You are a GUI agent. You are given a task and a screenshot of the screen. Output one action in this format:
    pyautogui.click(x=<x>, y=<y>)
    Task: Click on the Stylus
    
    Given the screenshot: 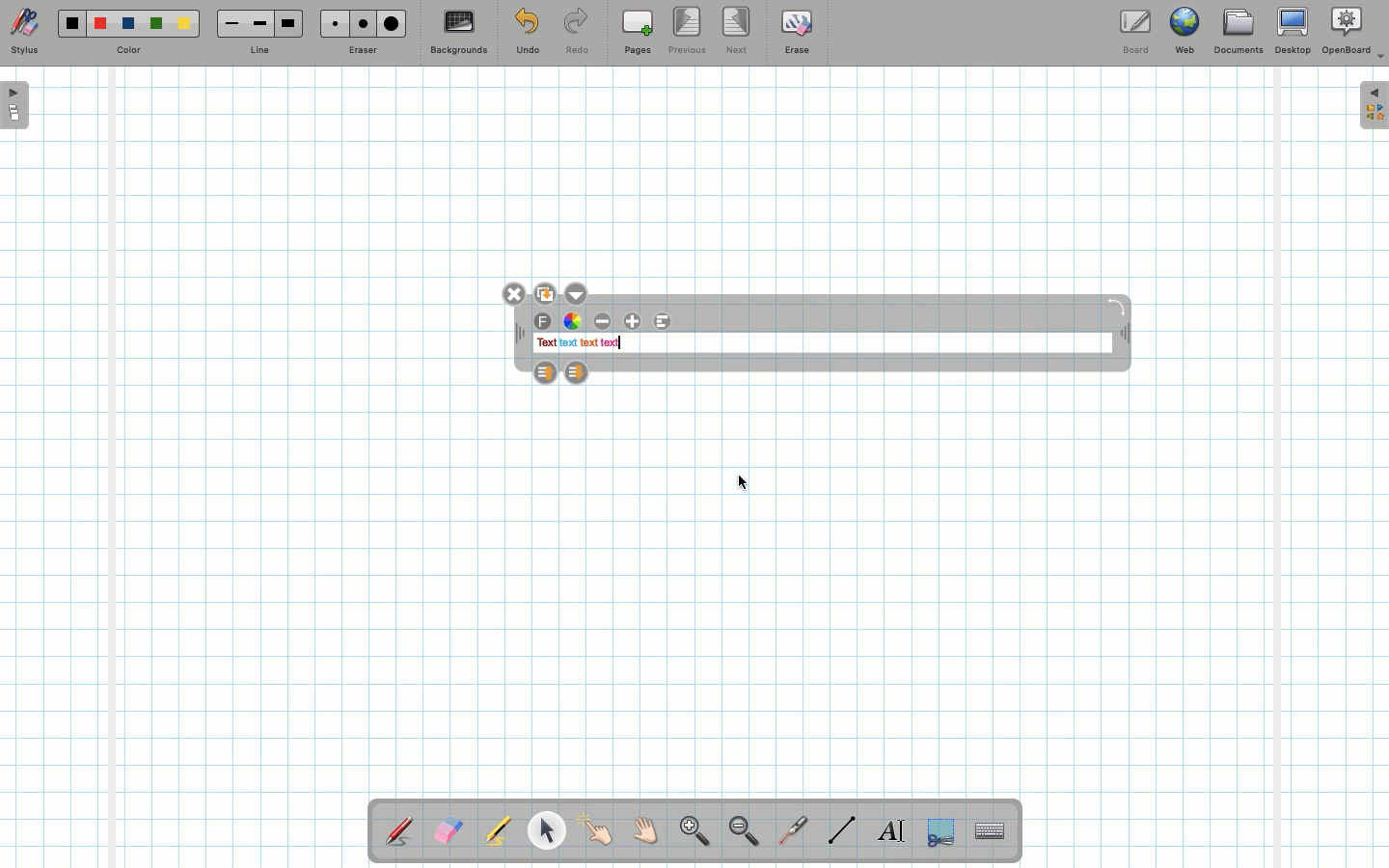 What is the action you would take?
    pyautogui.click(x=24, y=32)
    